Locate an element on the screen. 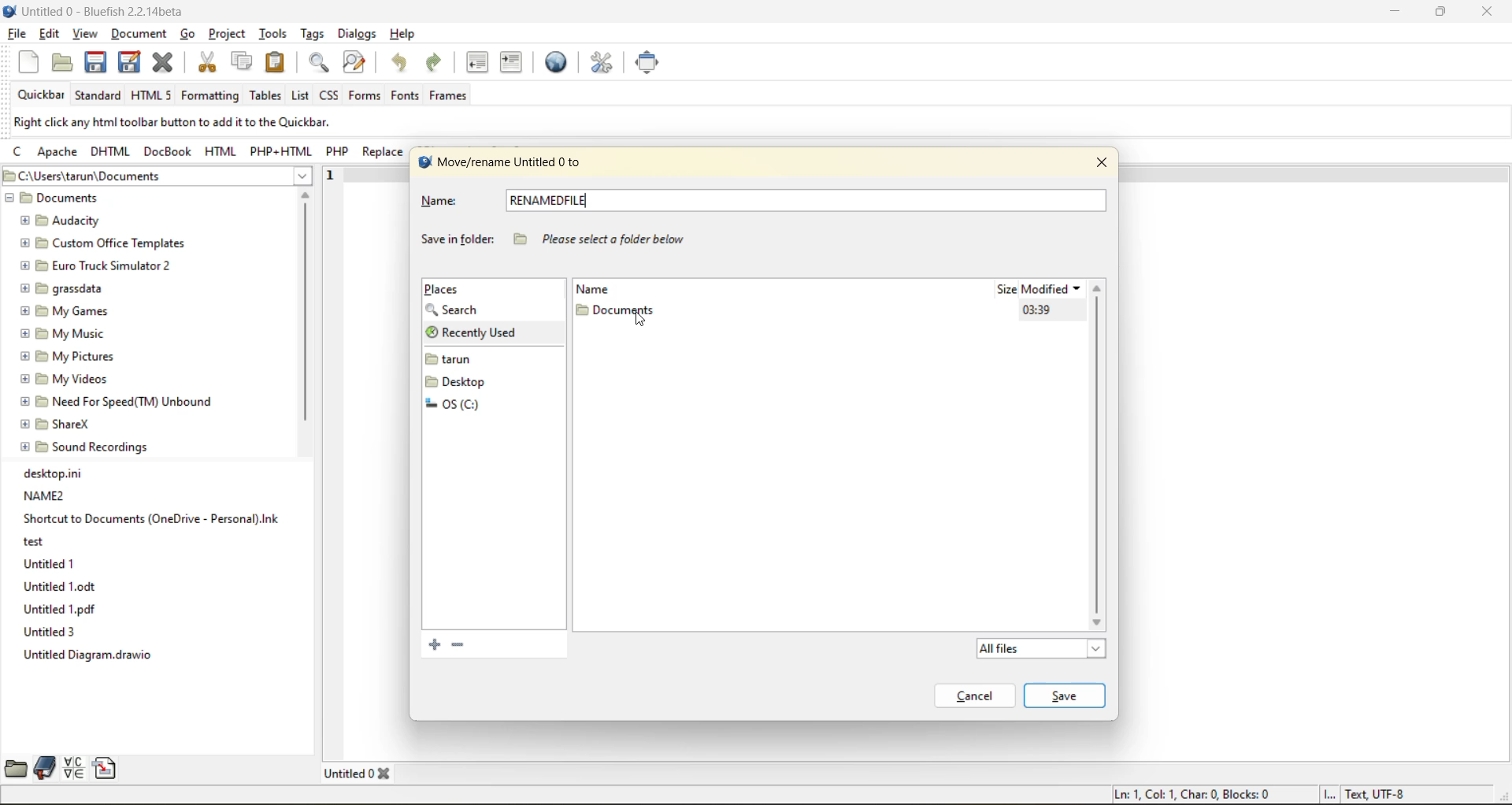 Image resolution: width=1512 pixels, height=805 pixels. close is located at coordinates (1100, 165).